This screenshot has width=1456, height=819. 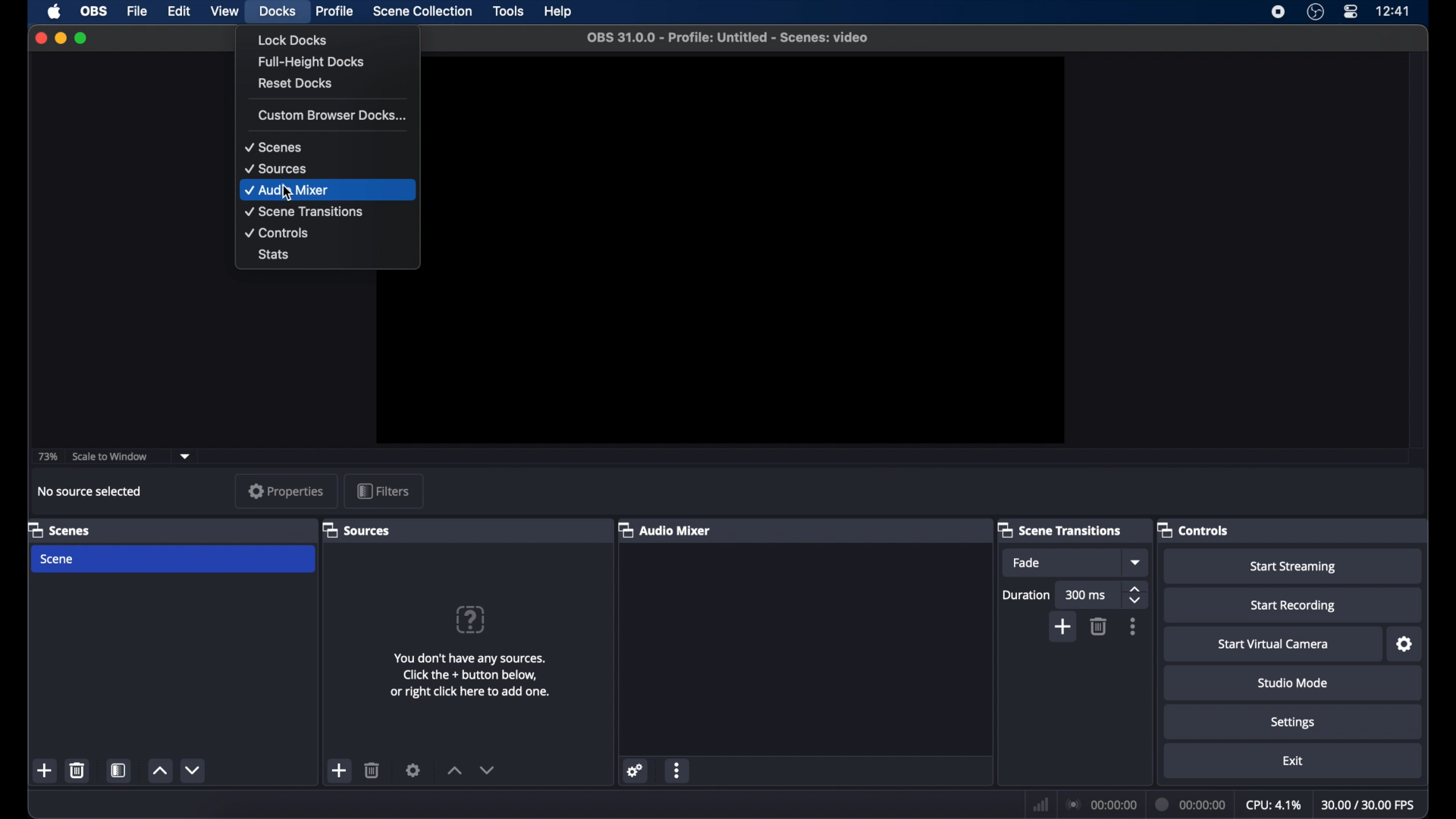 What do you see at coordinates (453, 770) in the screenshot?
I see `increment` at bounding box center [453, 770].